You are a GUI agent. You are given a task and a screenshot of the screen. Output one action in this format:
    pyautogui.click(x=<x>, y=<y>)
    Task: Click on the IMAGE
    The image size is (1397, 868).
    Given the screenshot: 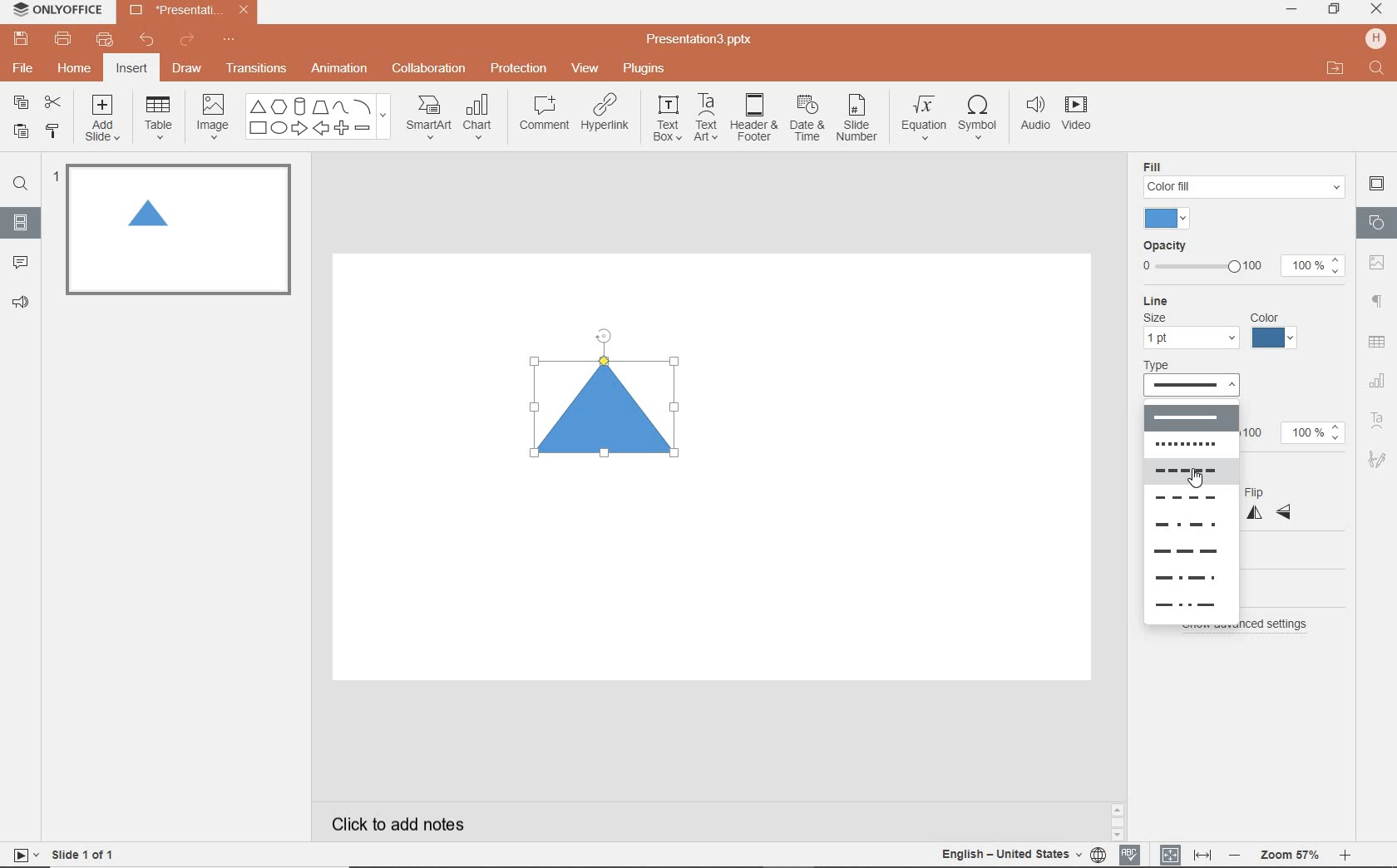 What is the action you would take?
    pyautogui.click(x=212, y=118)
    